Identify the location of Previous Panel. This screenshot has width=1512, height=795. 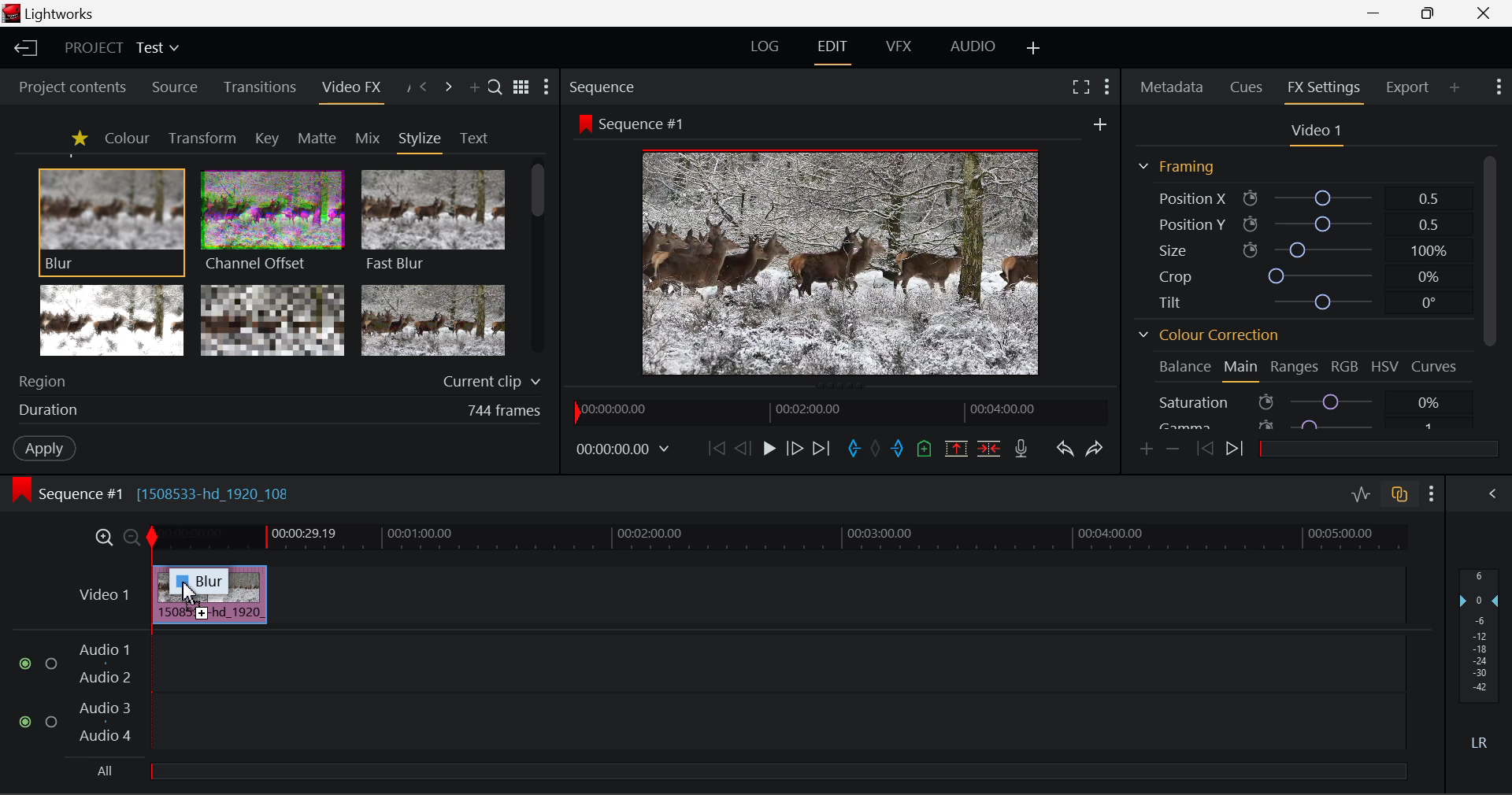
(424, 87).